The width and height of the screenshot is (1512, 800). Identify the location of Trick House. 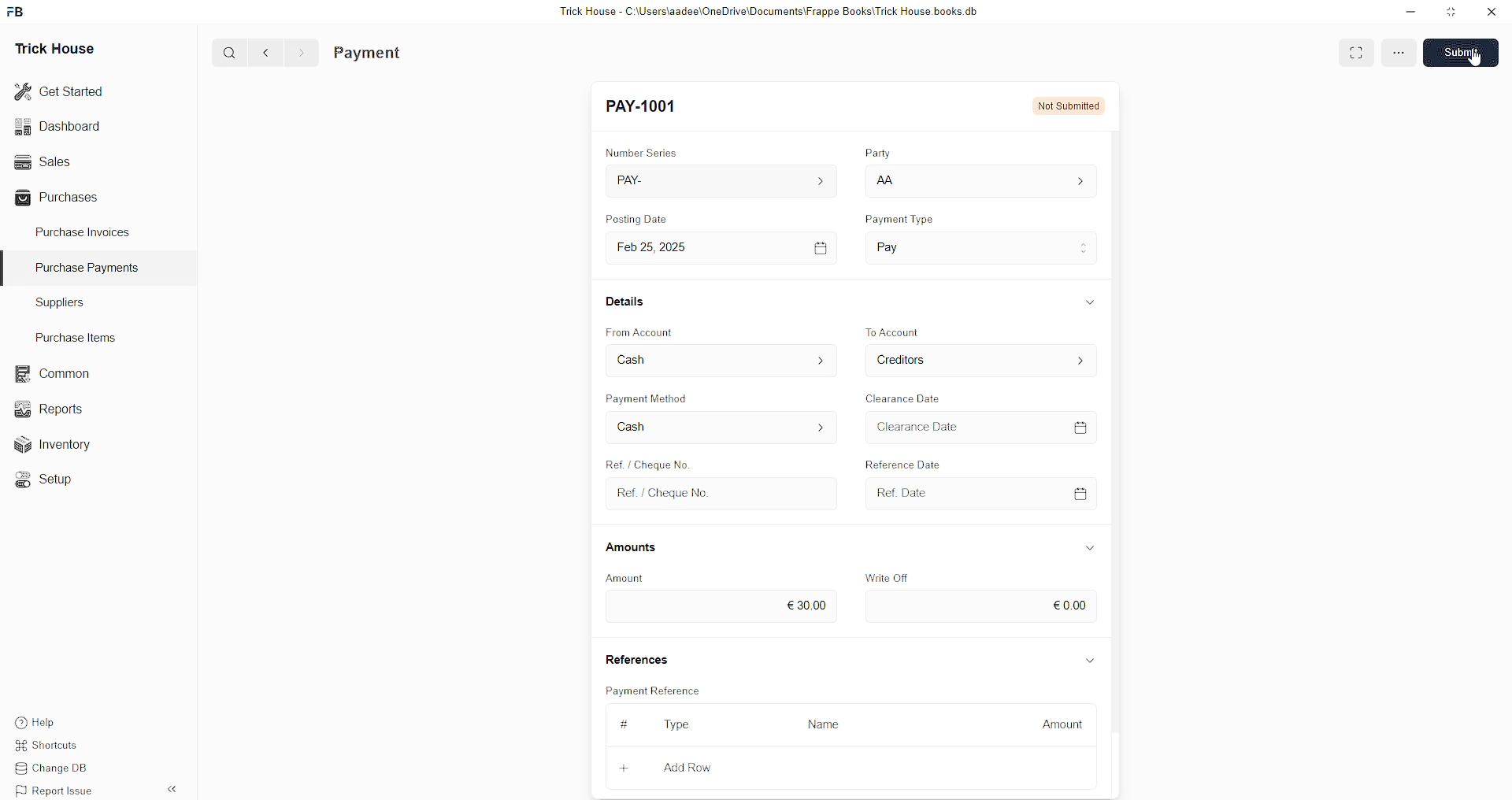
(50, 47).